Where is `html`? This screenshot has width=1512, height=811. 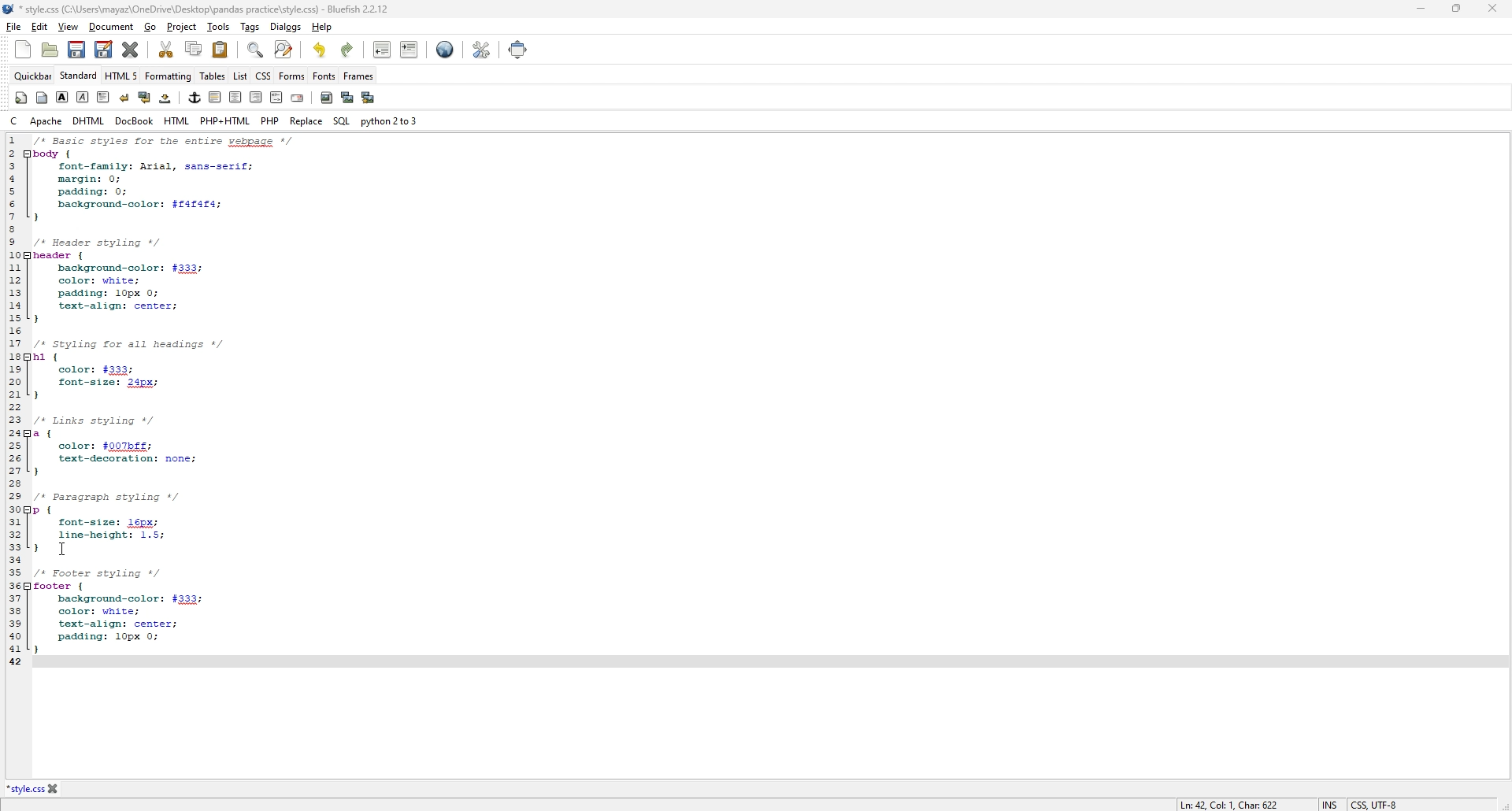 html is located at coordinates (177, 120).